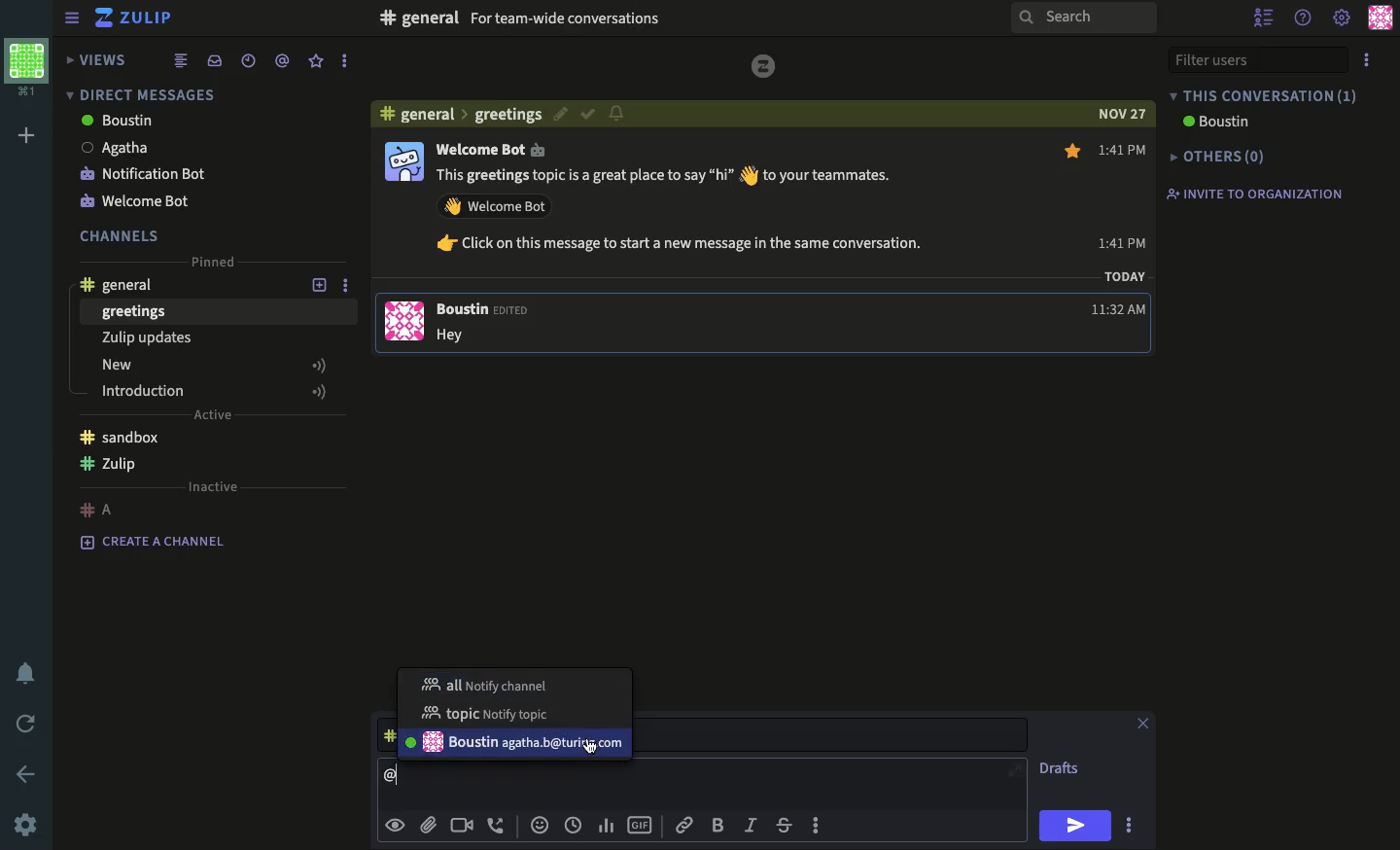  I want to click on notification, so click(617, 114).